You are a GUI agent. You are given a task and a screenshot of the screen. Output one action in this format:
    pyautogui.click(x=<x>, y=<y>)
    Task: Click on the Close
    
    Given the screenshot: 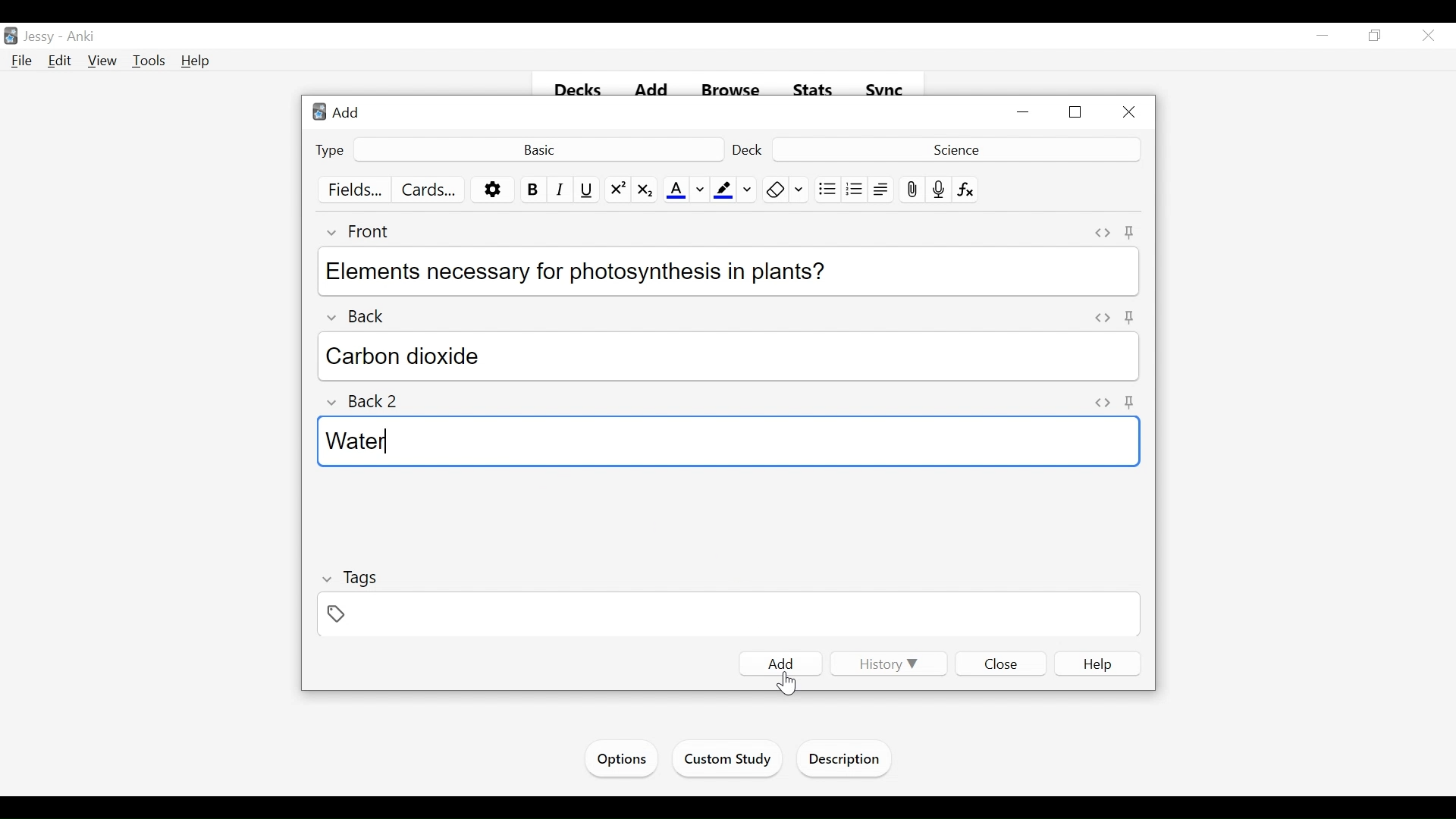 What is the action you would take?
    pyautogui.click(x=1128, y=113)
    